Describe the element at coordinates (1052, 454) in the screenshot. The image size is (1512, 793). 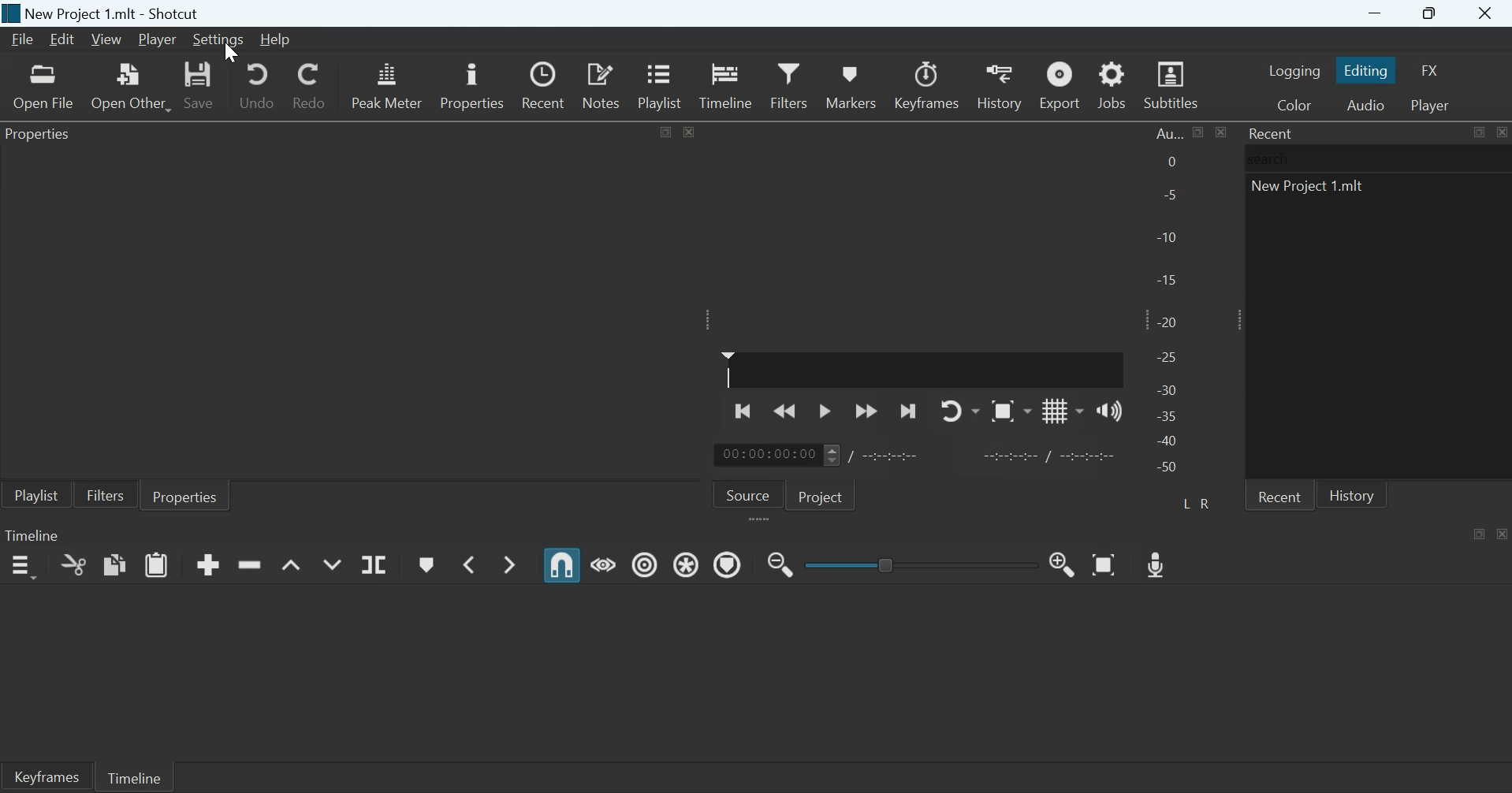
I see `Start marker/End marker` at that location.